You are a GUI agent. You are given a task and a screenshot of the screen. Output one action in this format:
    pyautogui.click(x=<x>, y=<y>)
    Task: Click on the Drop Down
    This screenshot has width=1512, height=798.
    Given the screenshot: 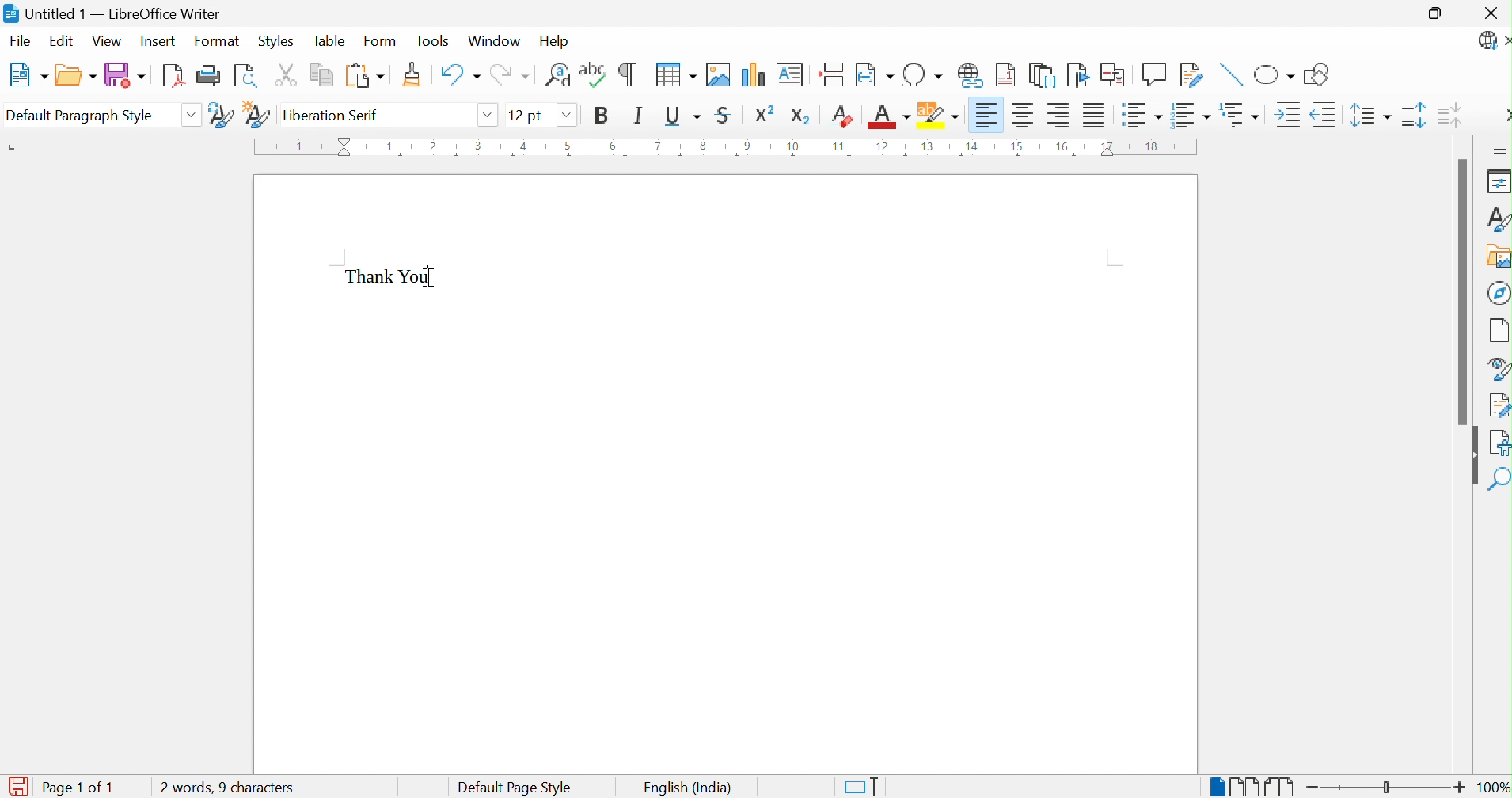 What is the action you would take?
    pyautogui.click(x=192, y=113)
    